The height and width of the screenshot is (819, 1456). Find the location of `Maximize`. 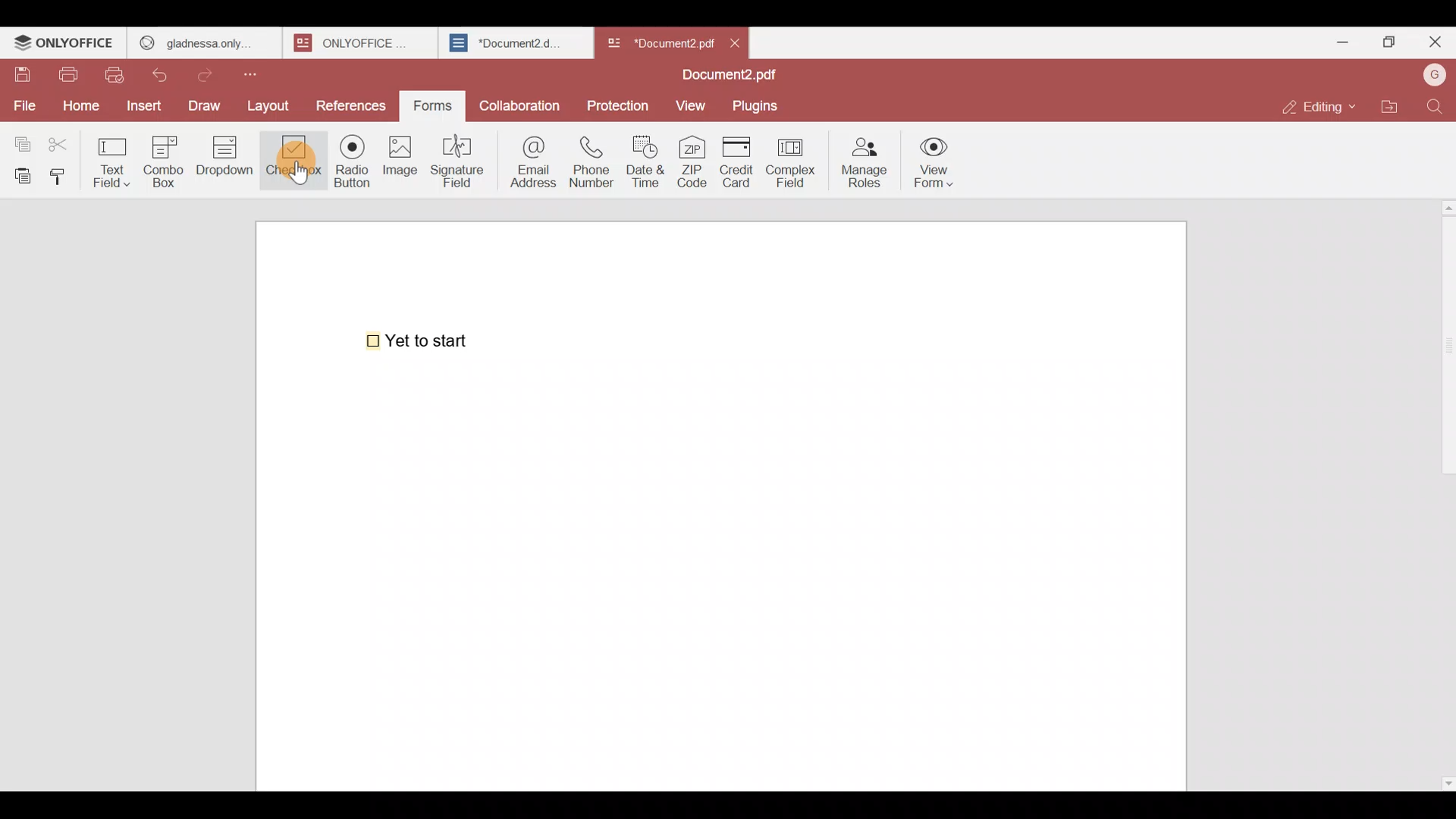

Maximize is located at coordinates (1386, 41).